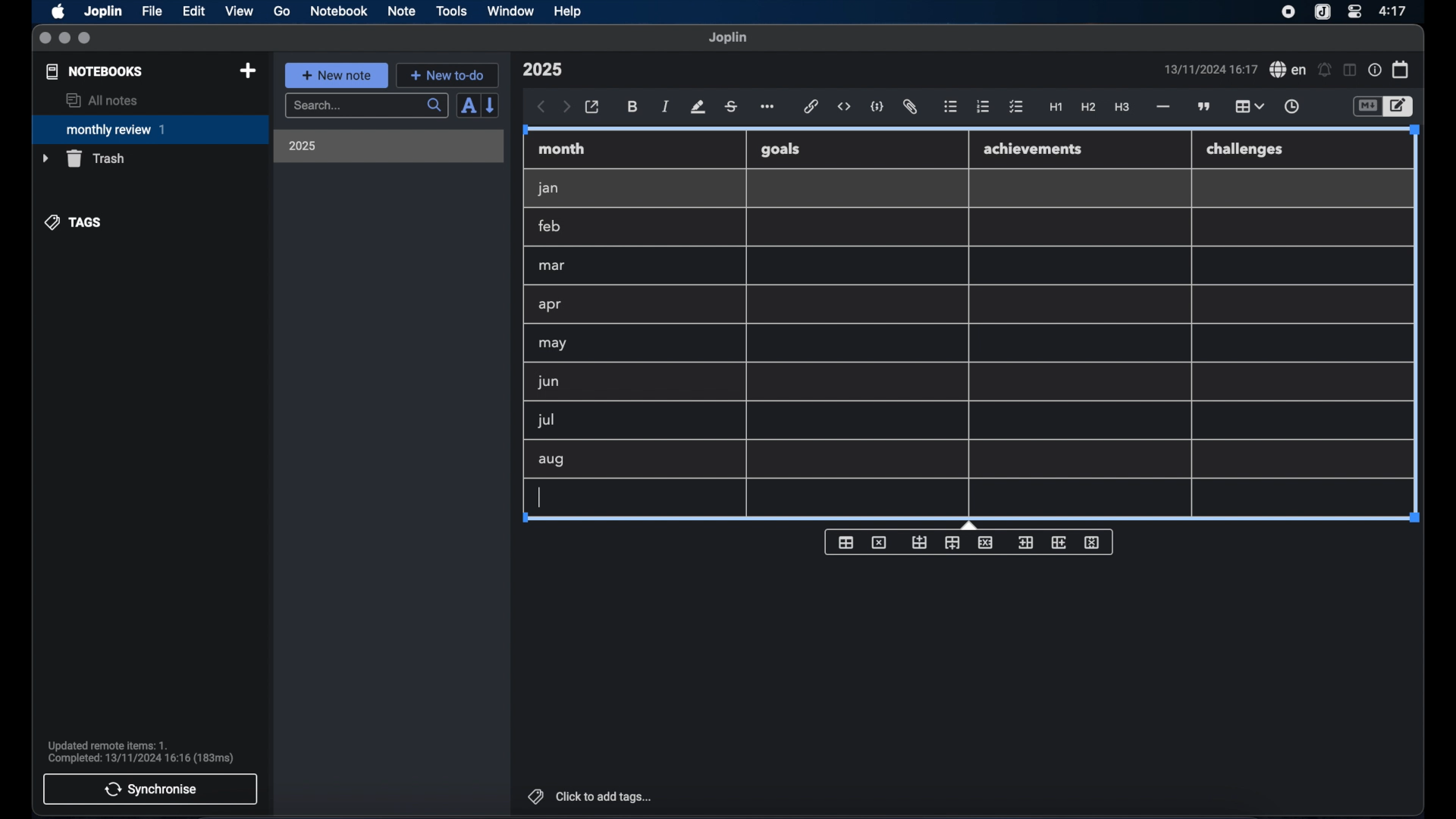  I want to click on spel check, so click(1288, 70).